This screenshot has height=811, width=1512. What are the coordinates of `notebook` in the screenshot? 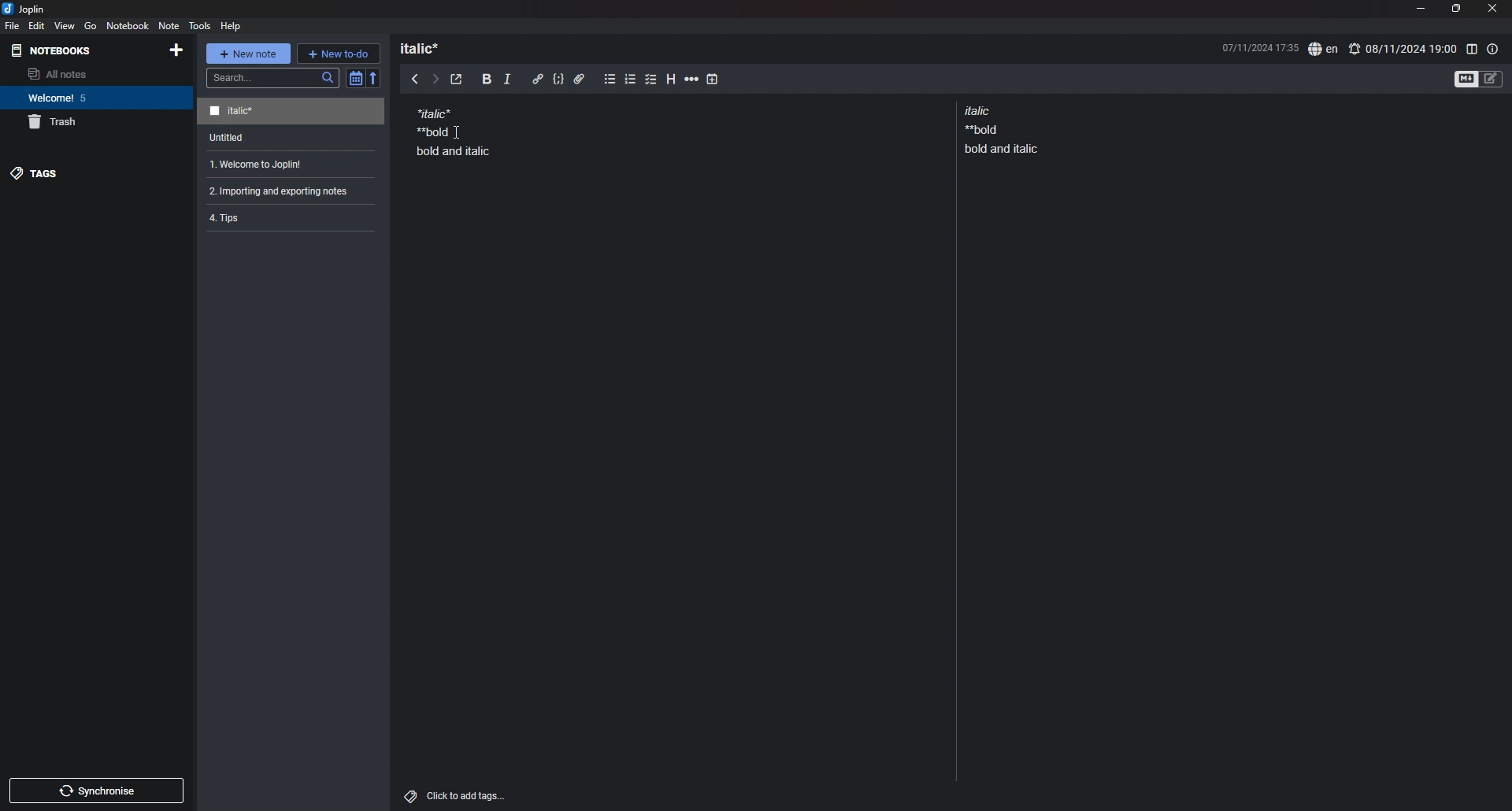 It's located at (128, 25).